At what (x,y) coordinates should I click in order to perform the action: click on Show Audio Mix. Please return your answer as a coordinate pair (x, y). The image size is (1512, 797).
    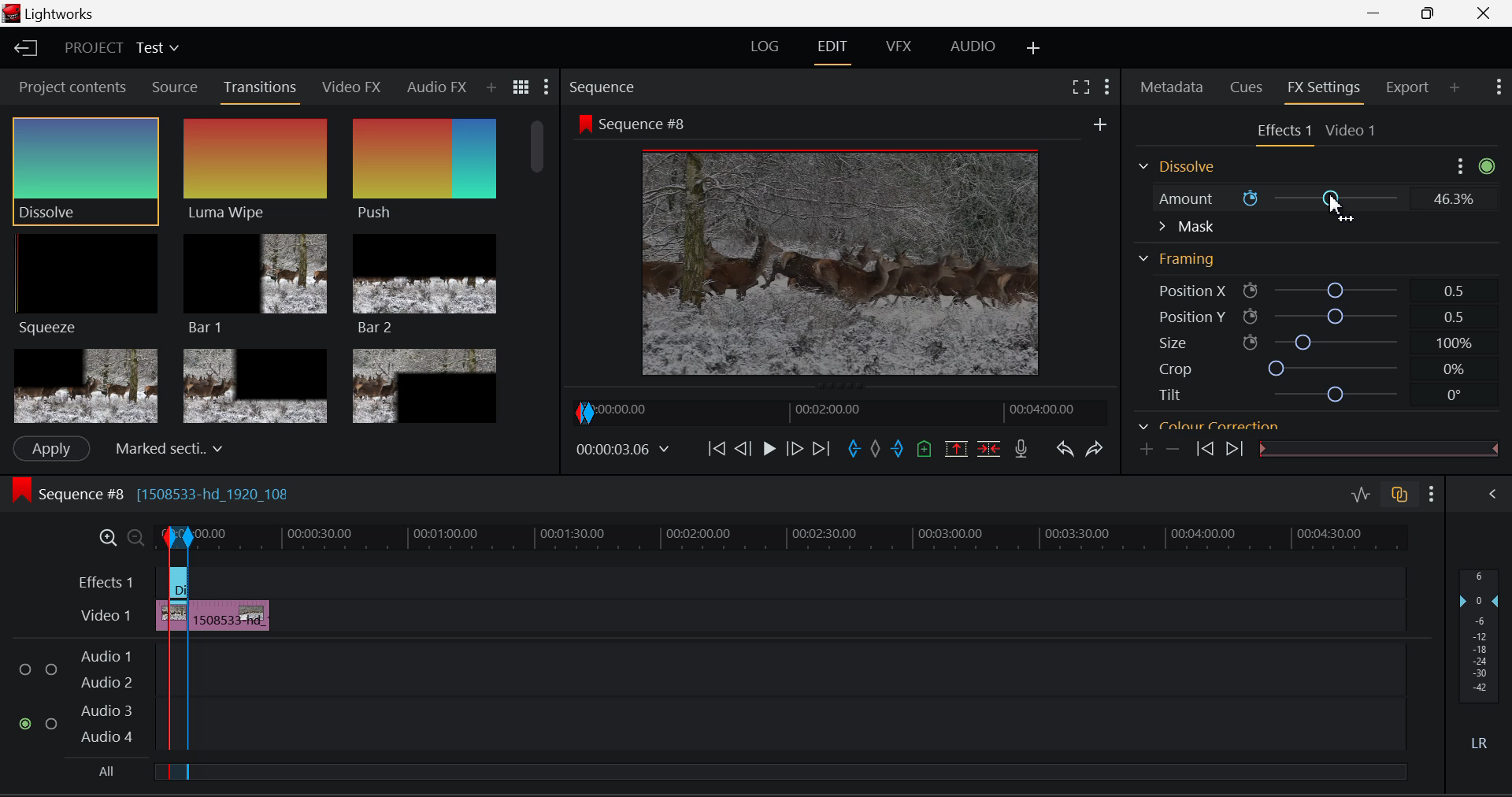
    Looking at the image, I should click on (1493, 496).